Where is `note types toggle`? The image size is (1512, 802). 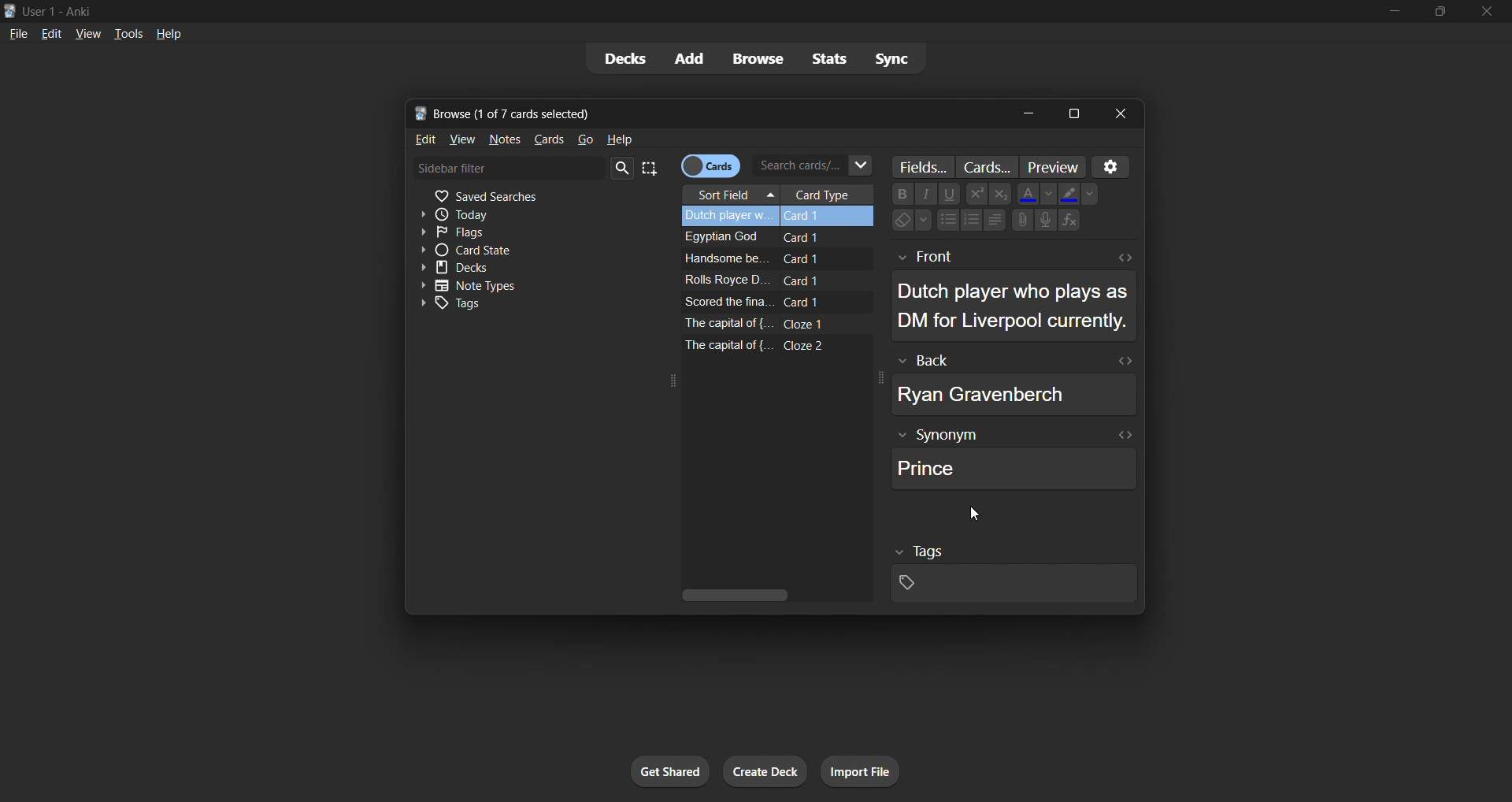
note types toggle is located at coordinates (506, 284).